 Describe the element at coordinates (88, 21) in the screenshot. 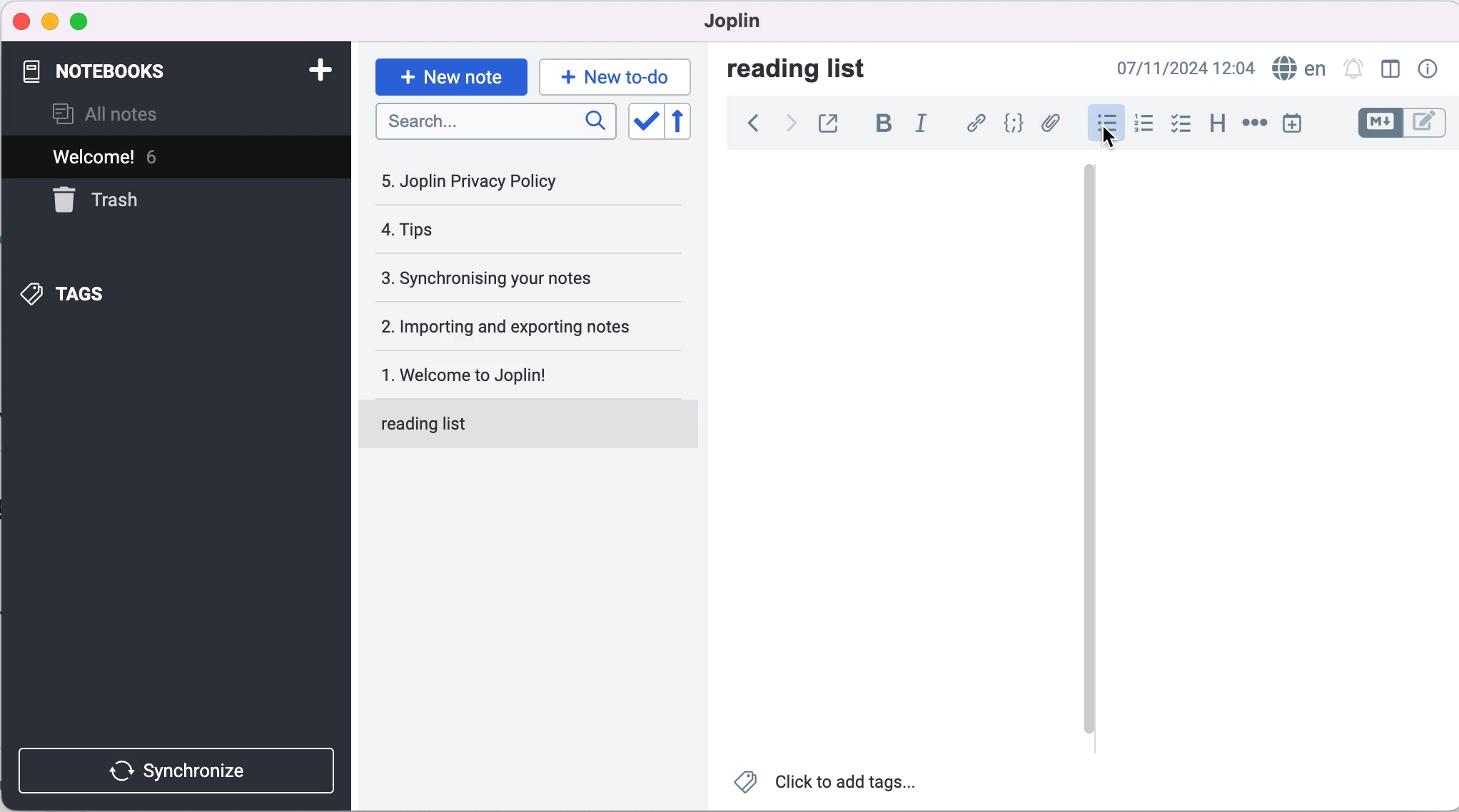

I see `maximize` at that location.